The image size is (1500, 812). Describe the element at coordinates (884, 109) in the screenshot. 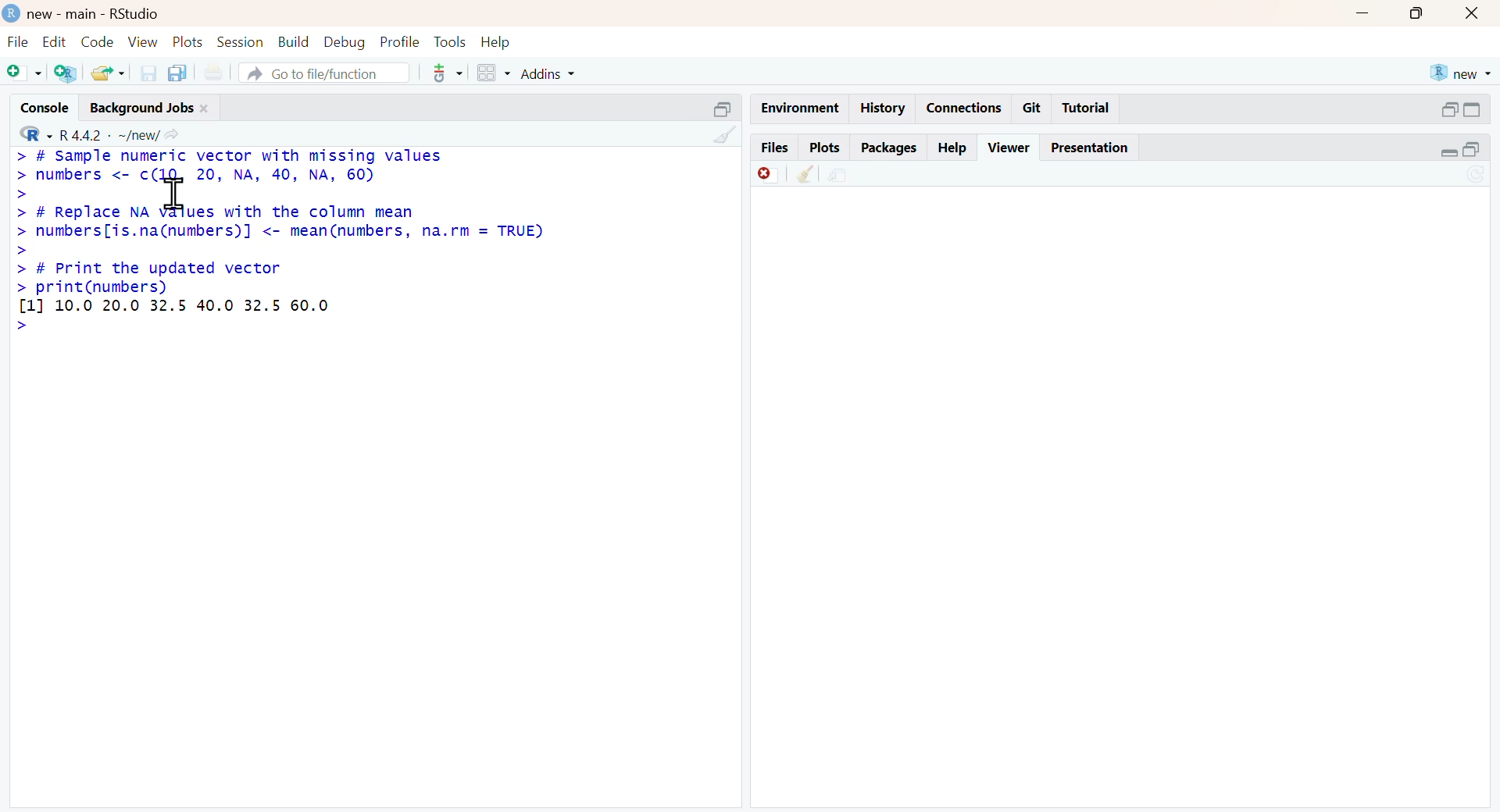

I see `history` at that location.